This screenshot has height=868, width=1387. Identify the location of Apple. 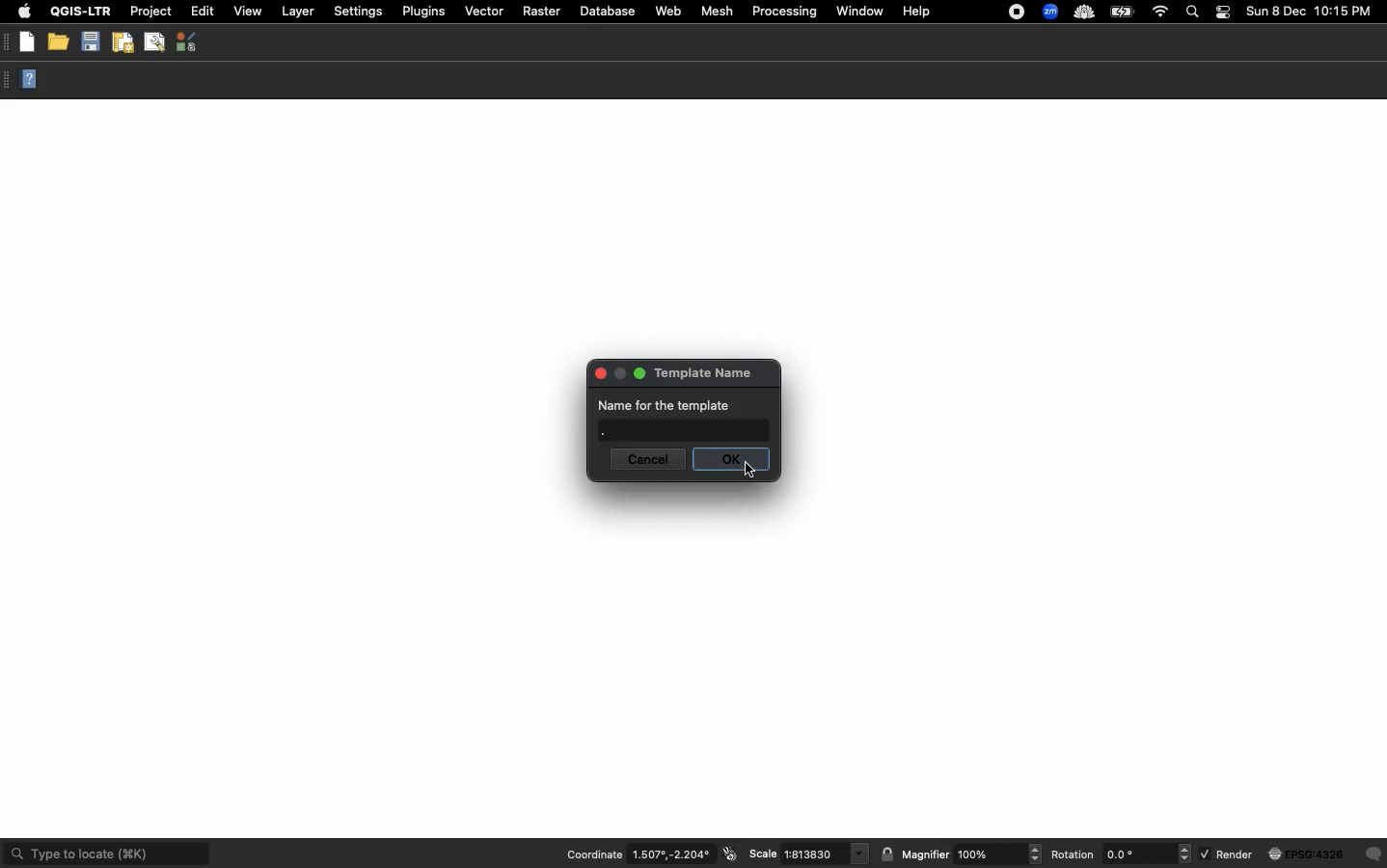
(23, 12).